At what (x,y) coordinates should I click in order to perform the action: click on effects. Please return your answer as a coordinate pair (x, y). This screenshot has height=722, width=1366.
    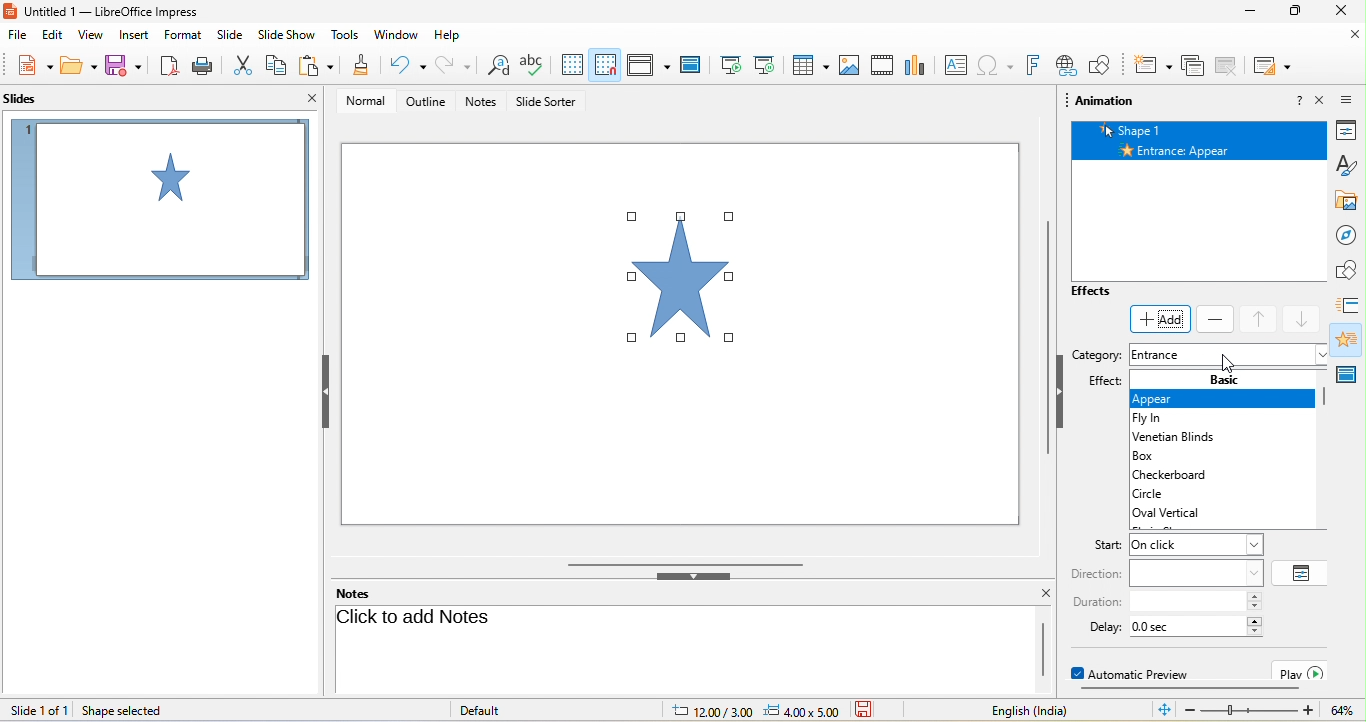
    Looking at the image, I should click on (1109, 293).